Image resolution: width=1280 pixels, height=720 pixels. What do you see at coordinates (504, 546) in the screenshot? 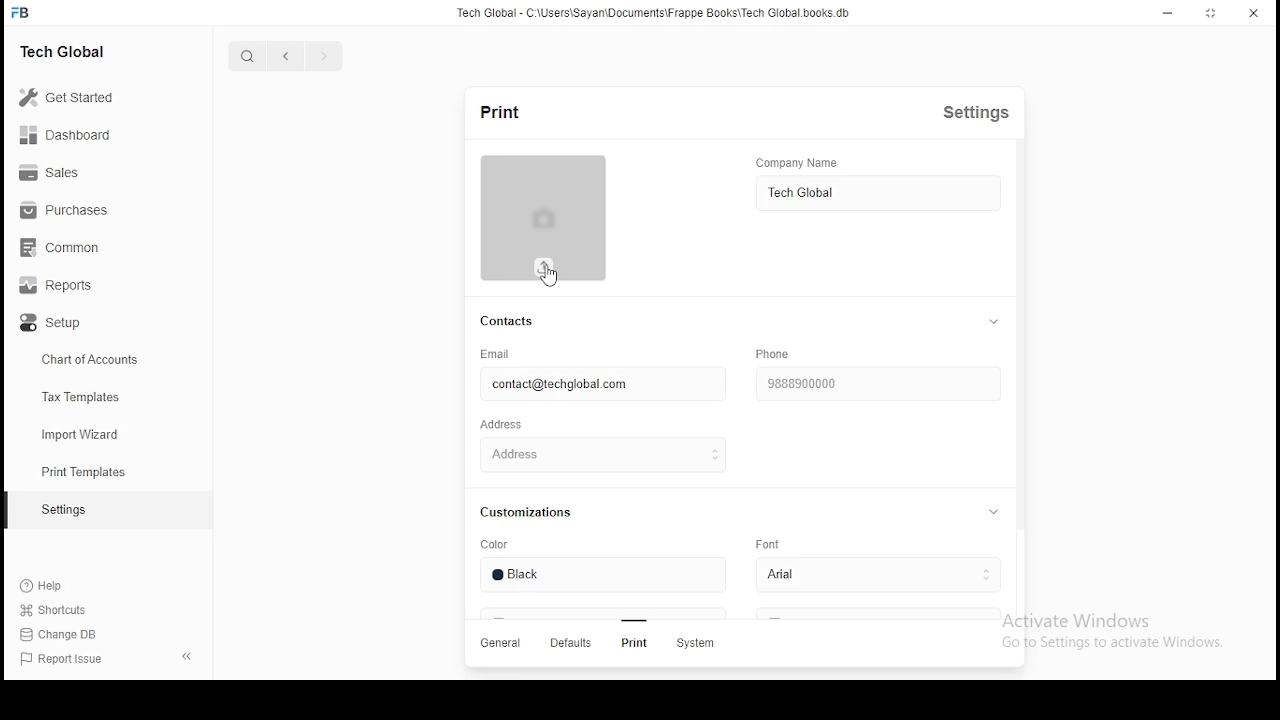
I see `Color` at bounding box center [504, 546].